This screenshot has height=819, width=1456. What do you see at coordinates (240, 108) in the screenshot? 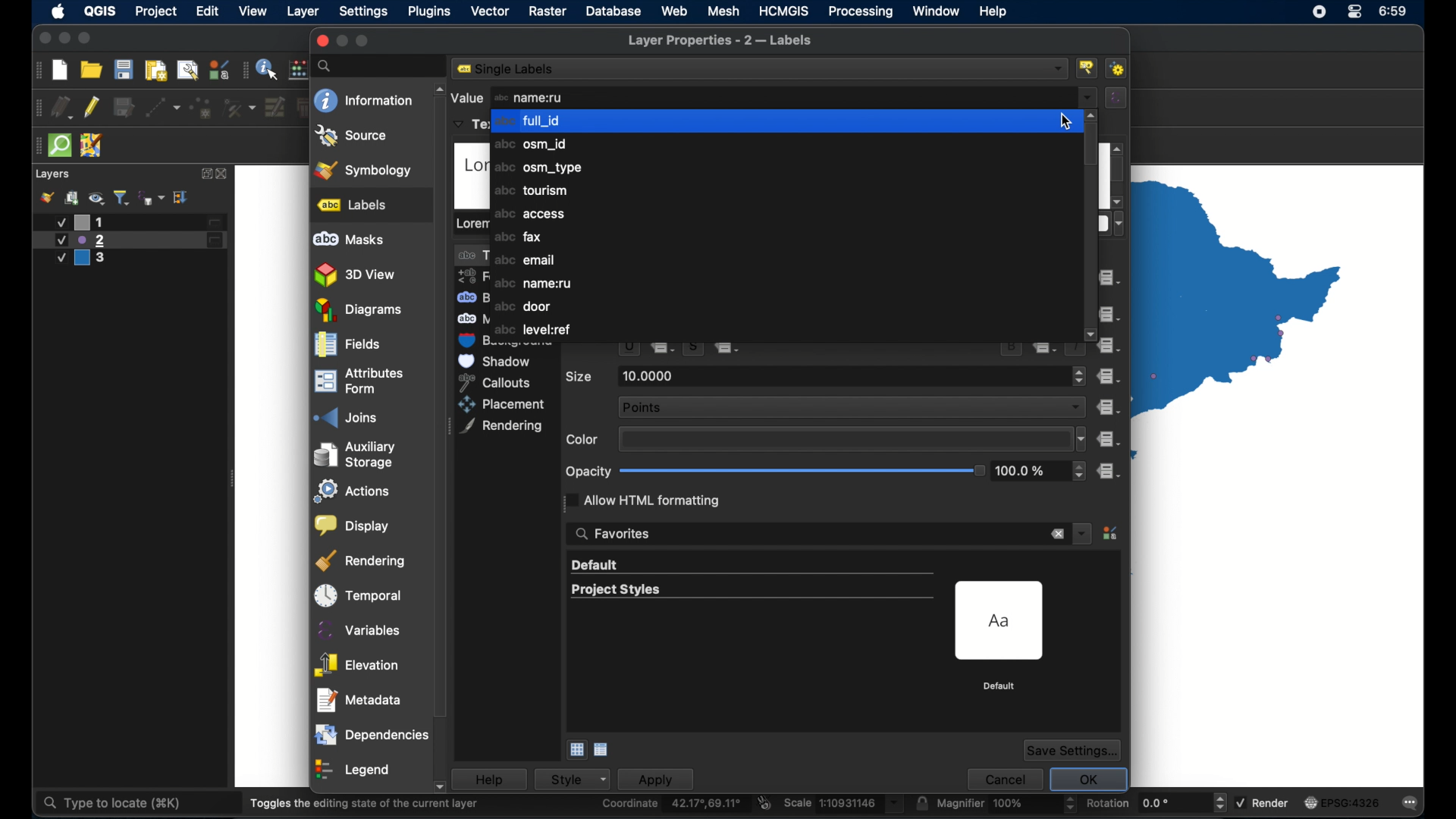
I see `vertex tool` at bounding box center [240, 108].